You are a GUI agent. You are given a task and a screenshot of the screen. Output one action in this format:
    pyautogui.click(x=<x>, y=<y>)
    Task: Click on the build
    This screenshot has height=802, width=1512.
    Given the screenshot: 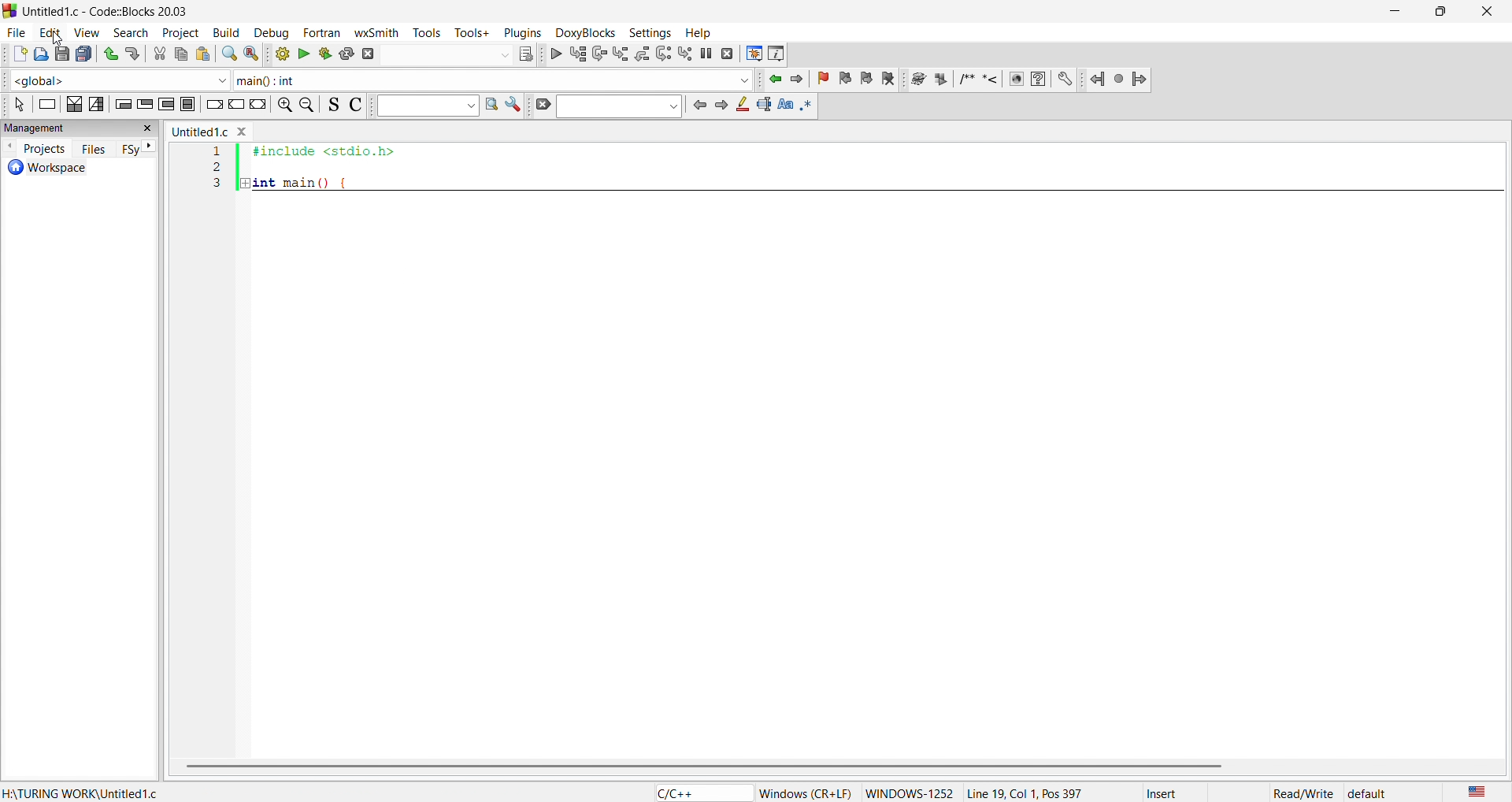 What is the action you would take?
    pyautogui.click(x=278, y=54)
    